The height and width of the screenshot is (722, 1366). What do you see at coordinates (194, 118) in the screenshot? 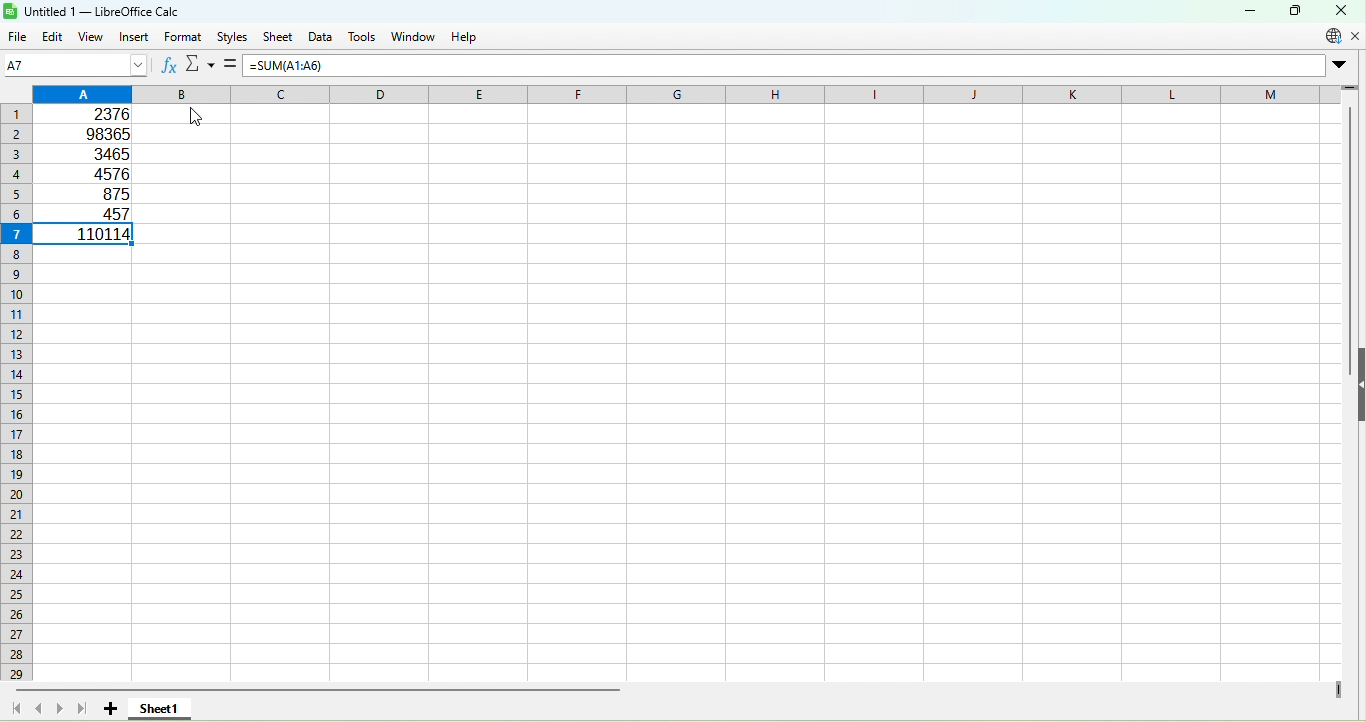
I see `Cursor` at bounding box center [194, 118].